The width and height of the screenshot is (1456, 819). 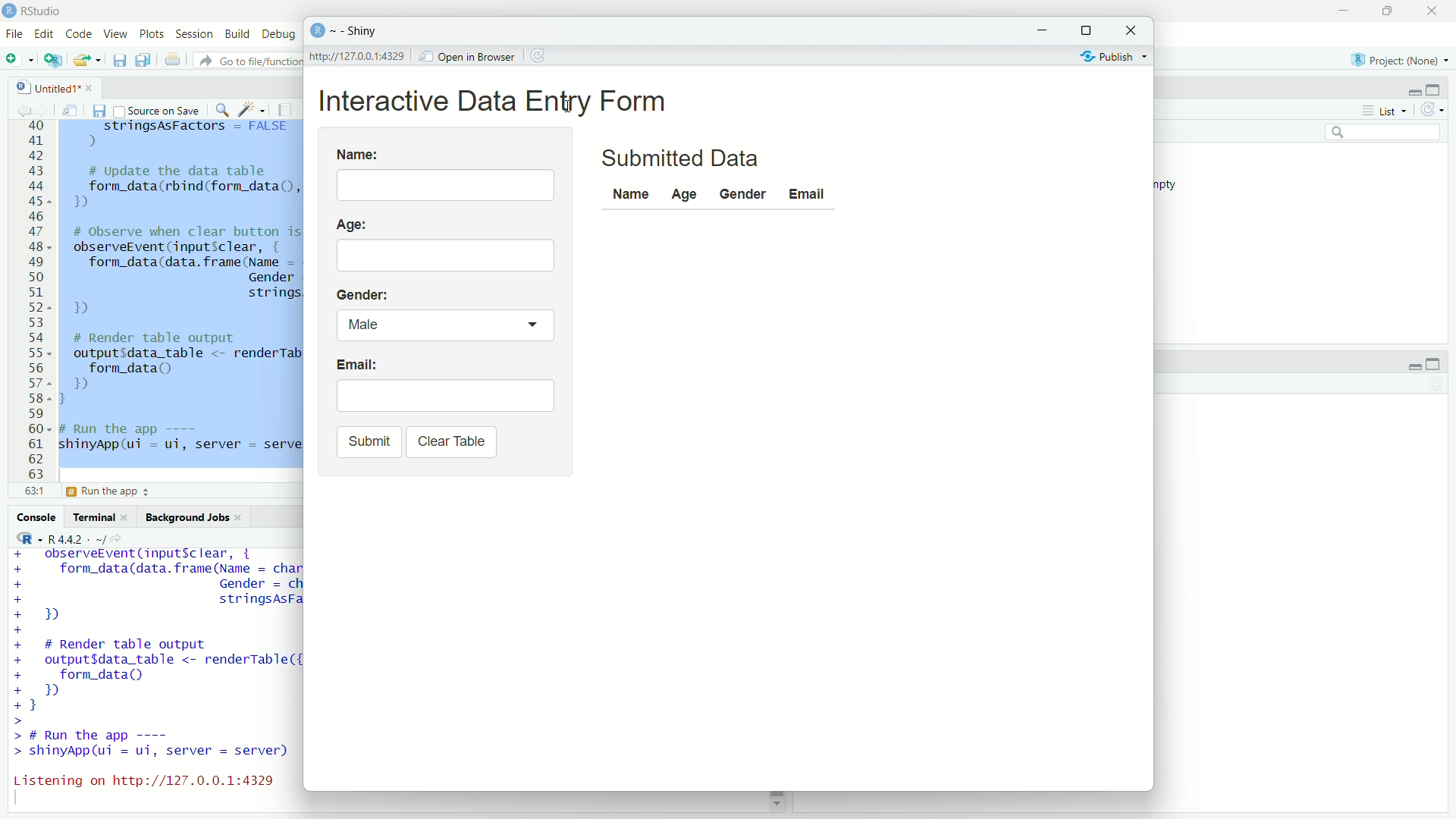 I want to click on print the current file, so click(x=171, y=60).